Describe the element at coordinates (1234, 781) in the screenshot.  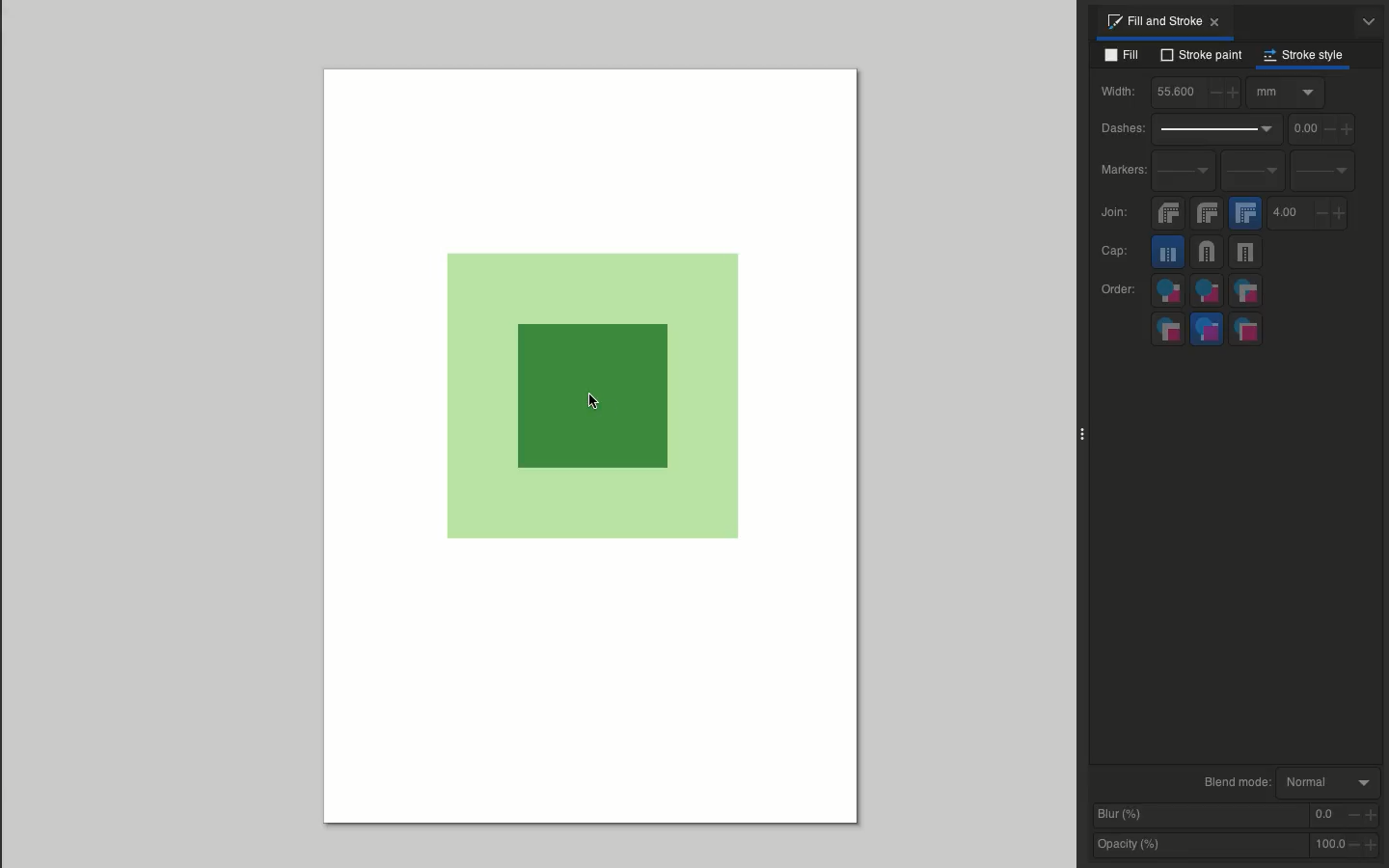
I see `Blend mode` at that location.